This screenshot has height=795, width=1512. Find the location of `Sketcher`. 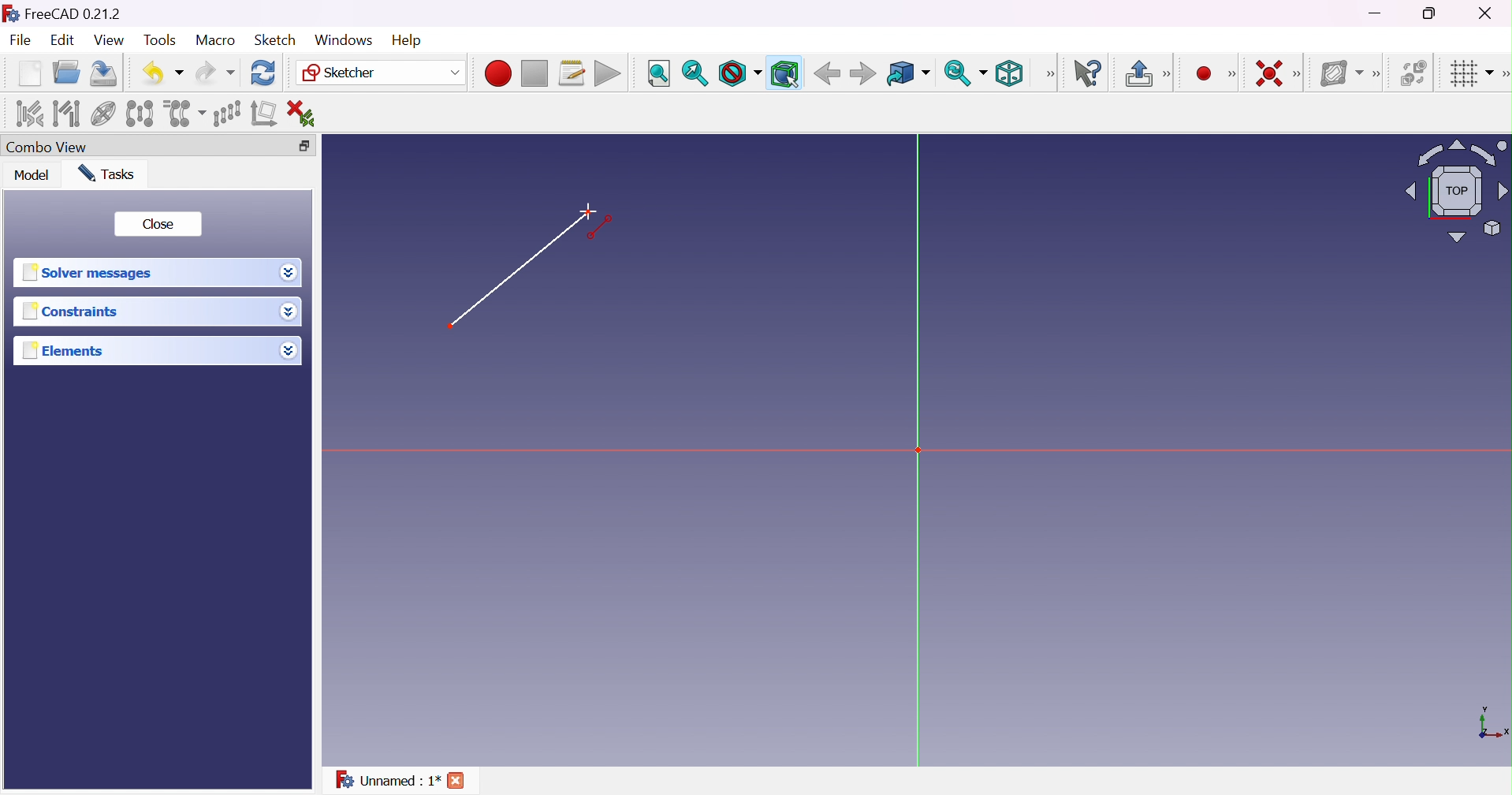

Sketcher is located at coordinates (382, 74).